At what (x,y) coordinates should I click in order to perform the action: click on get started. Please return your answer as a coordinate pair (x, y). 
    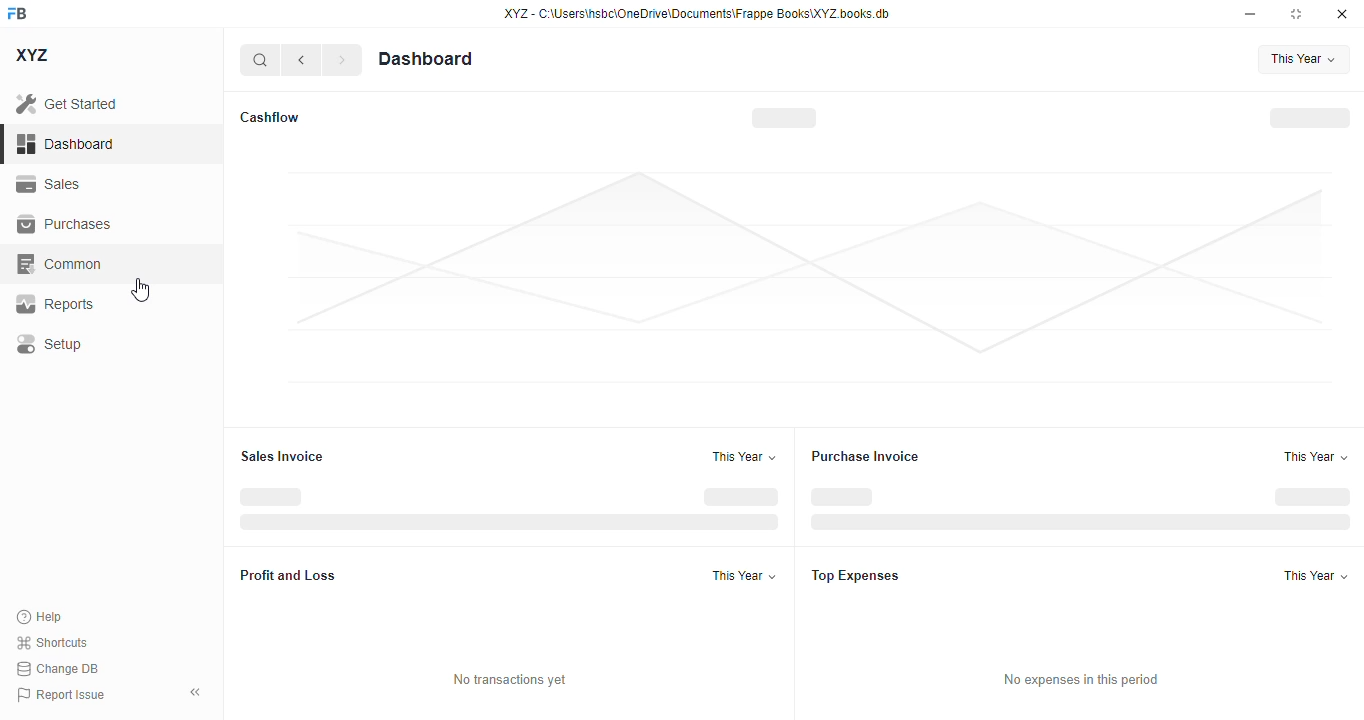
    Looking at the image, I should click on (67, 104).